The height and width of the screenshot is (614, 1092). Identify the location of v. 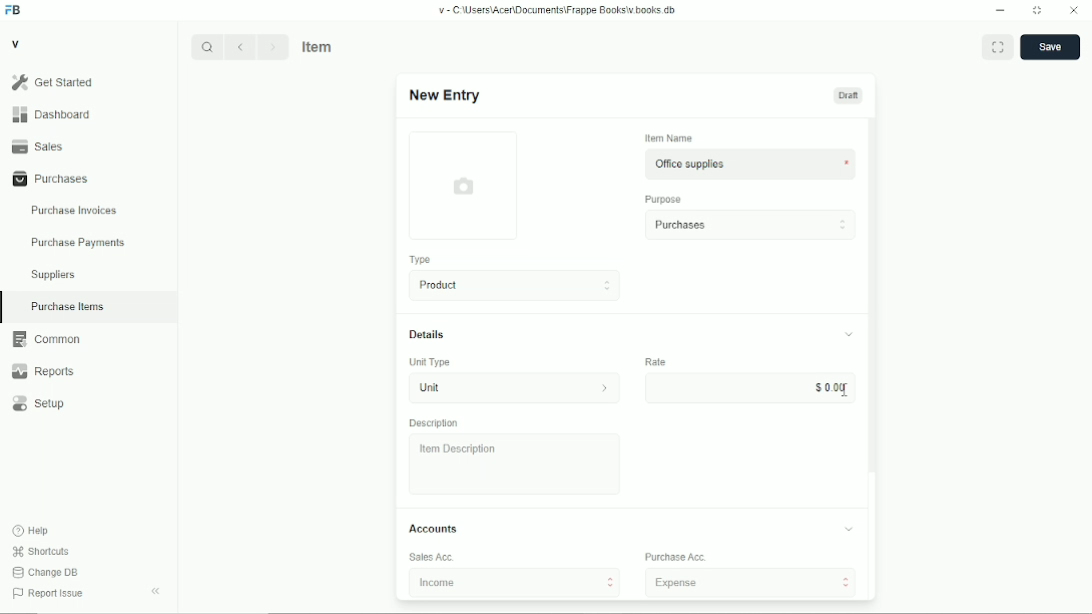
(17, 43).